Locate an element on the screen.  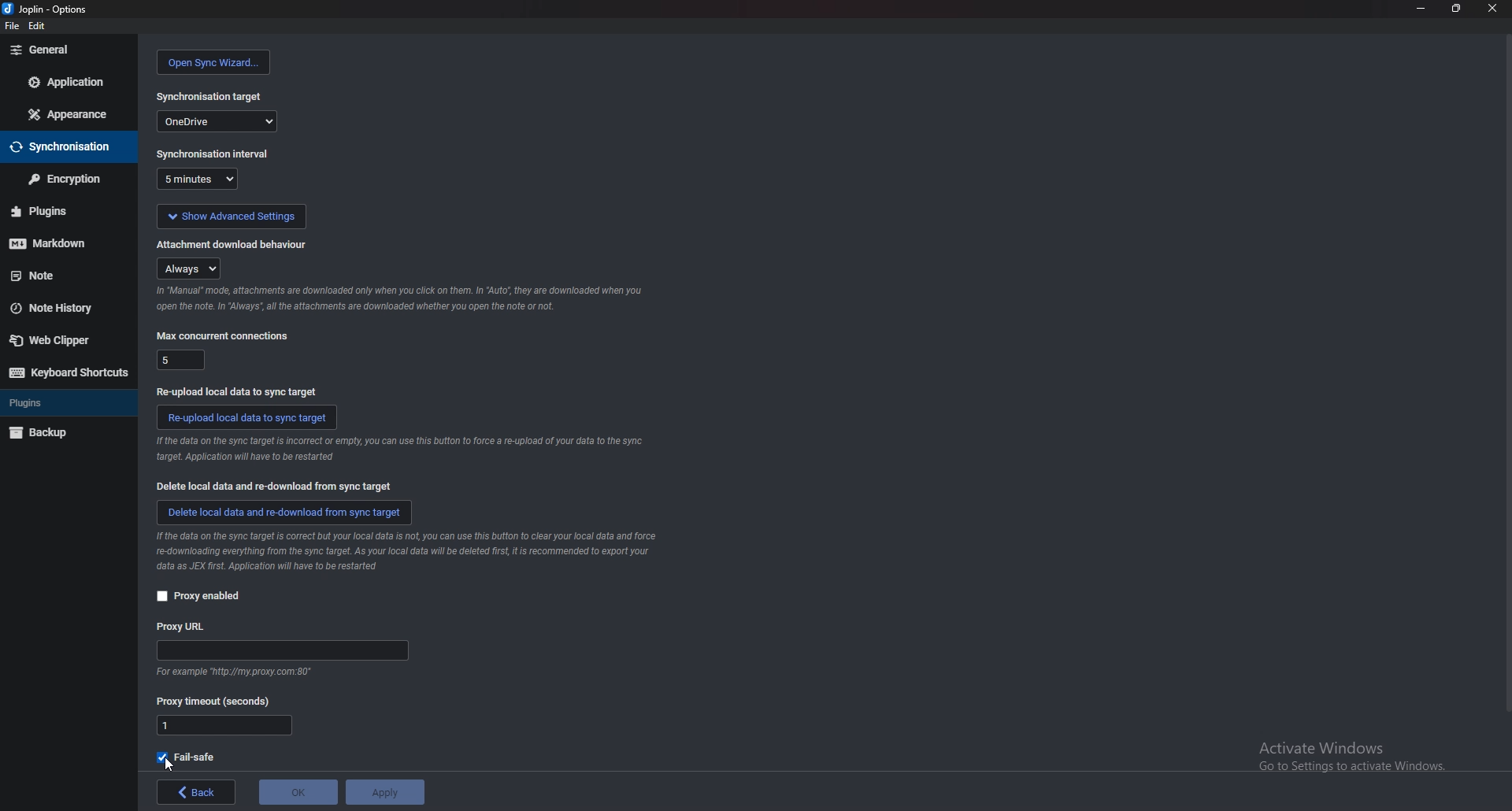
info is located at coordinates (241, 672).